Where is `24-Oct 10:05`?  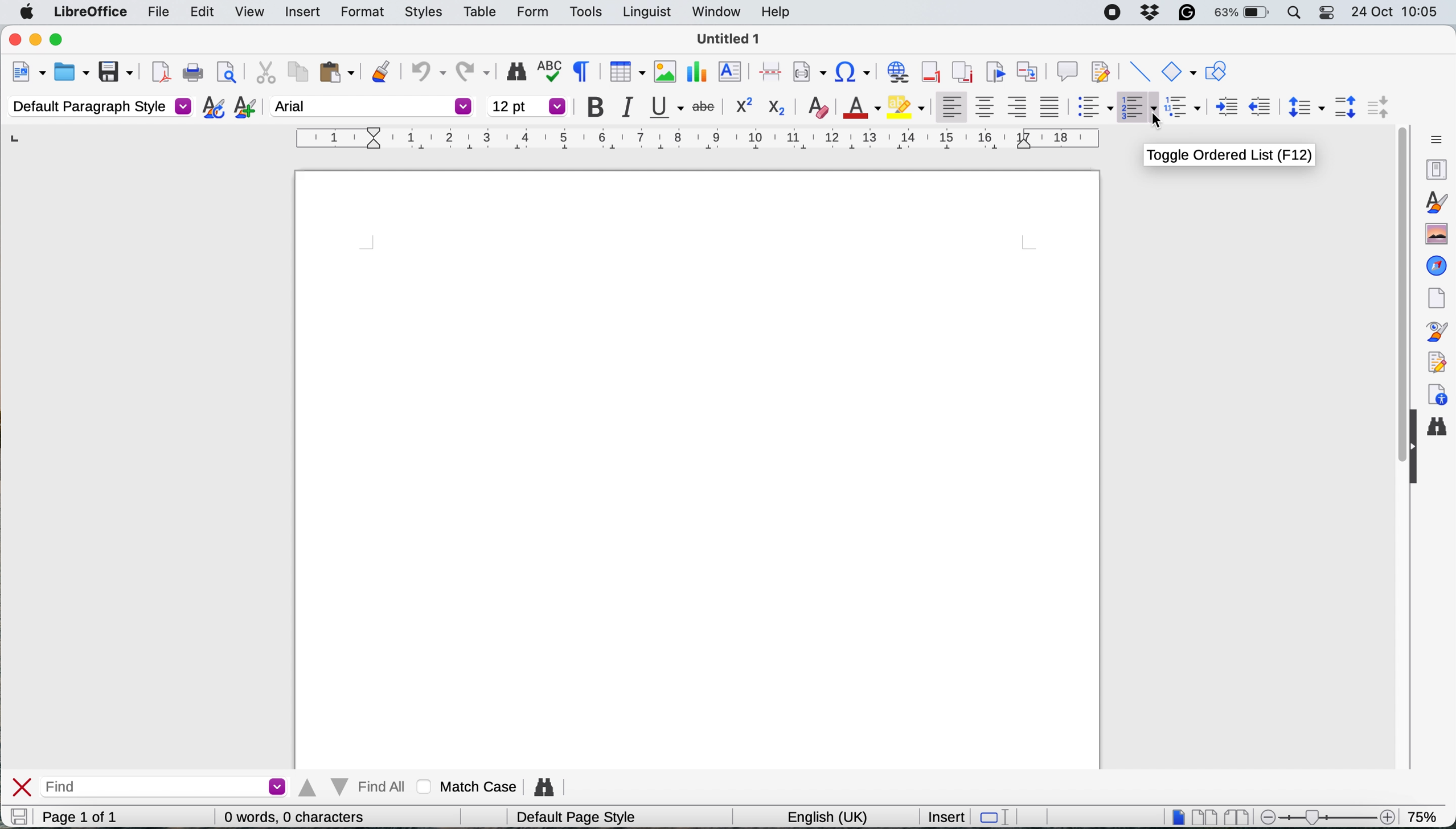
24-Oct 10:05 is located at coordinates (1397, 12).